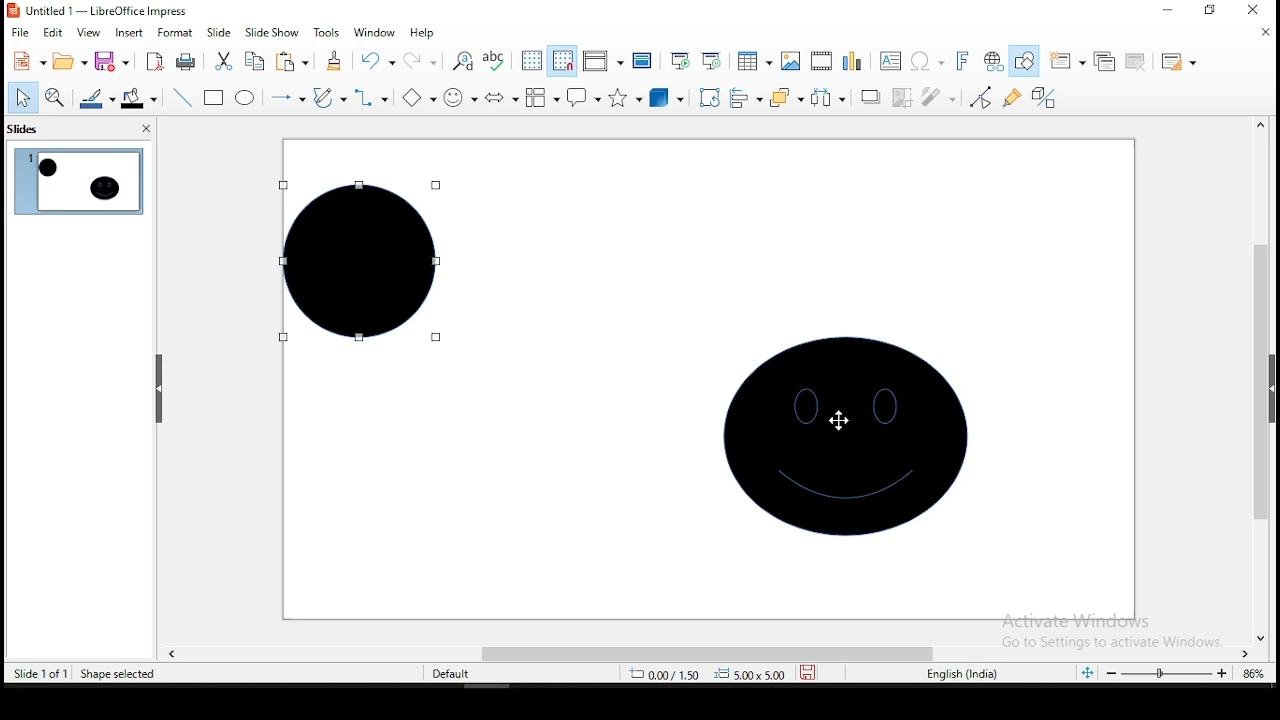  Describe the element at coordinates (55, 33) in the screenshot. I see `edit` at that location.